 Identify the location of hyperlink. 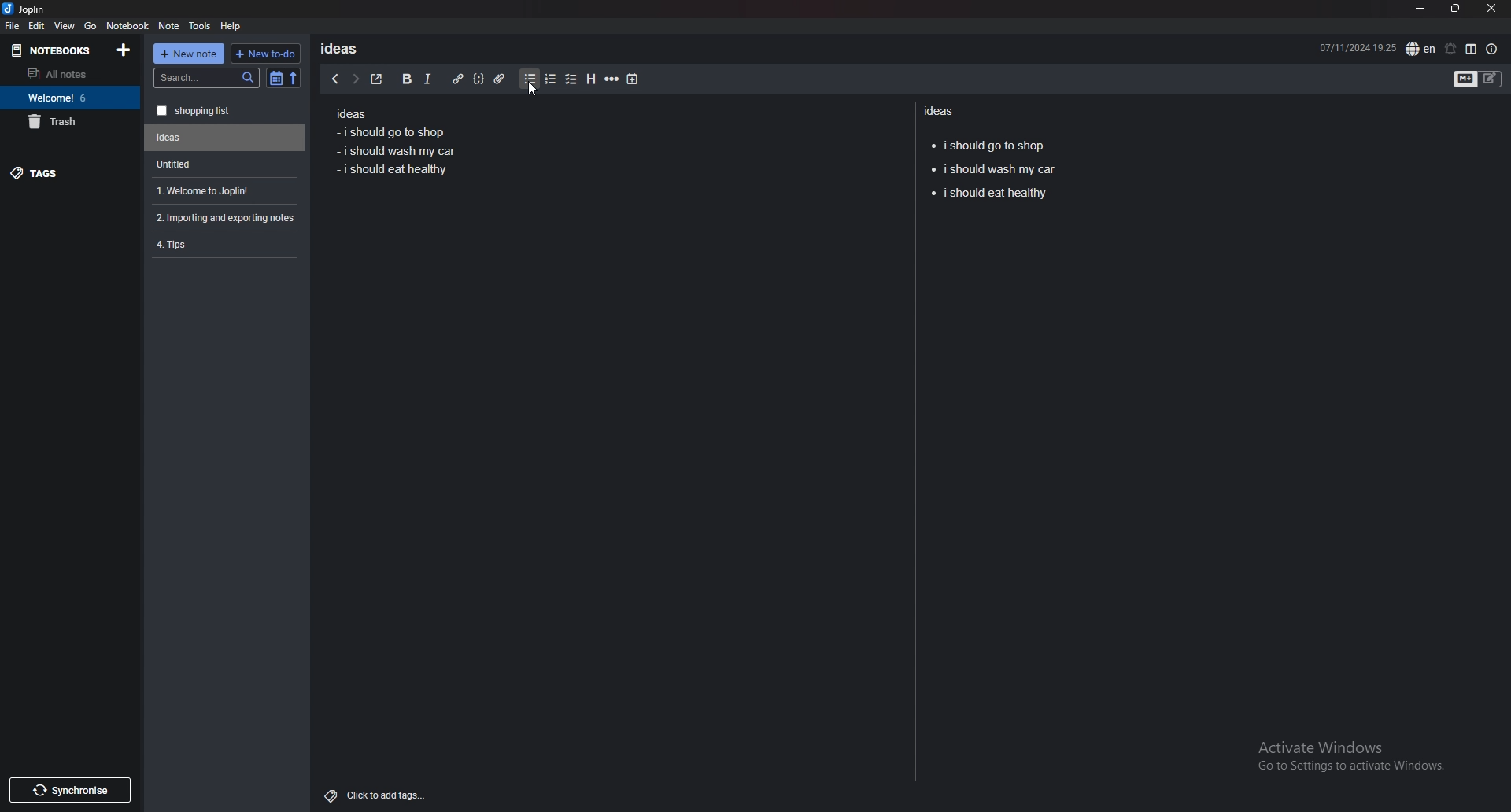
(457, 79).